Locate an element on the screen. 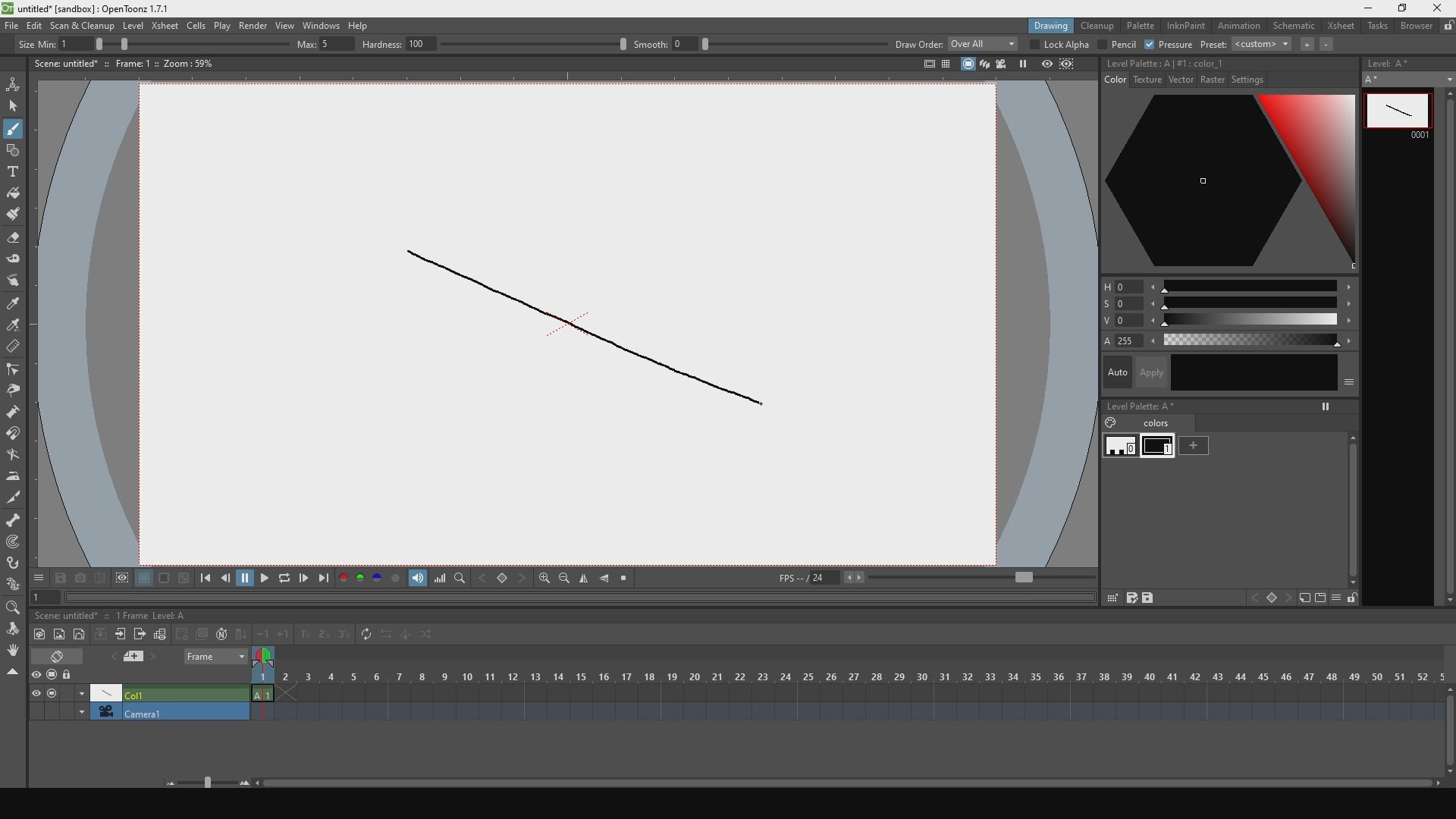  fps is located at coordinates (937, 578).